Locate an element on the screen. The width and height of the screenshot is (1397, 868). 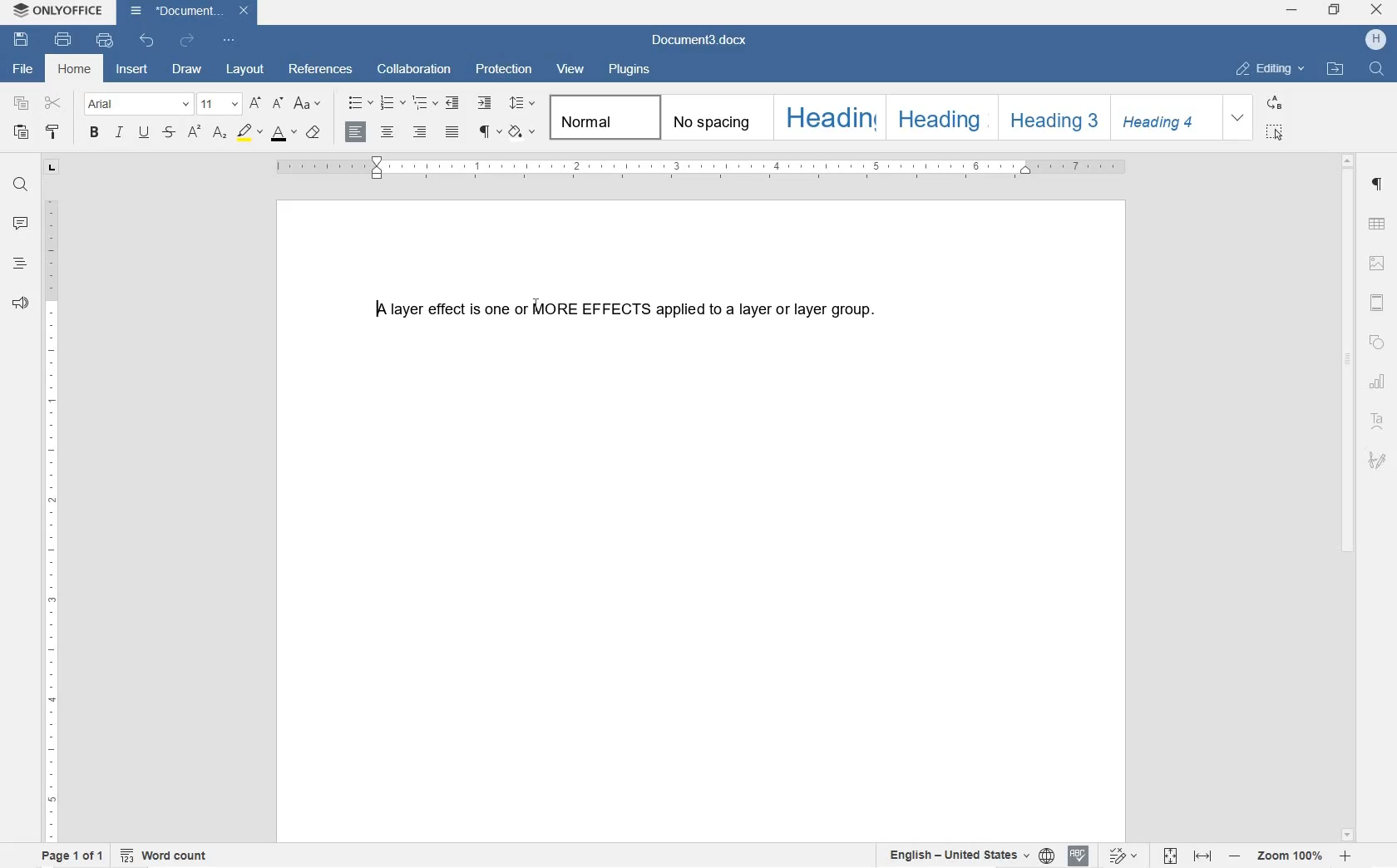
HEADING 1 is located at coordinates (827, 116).